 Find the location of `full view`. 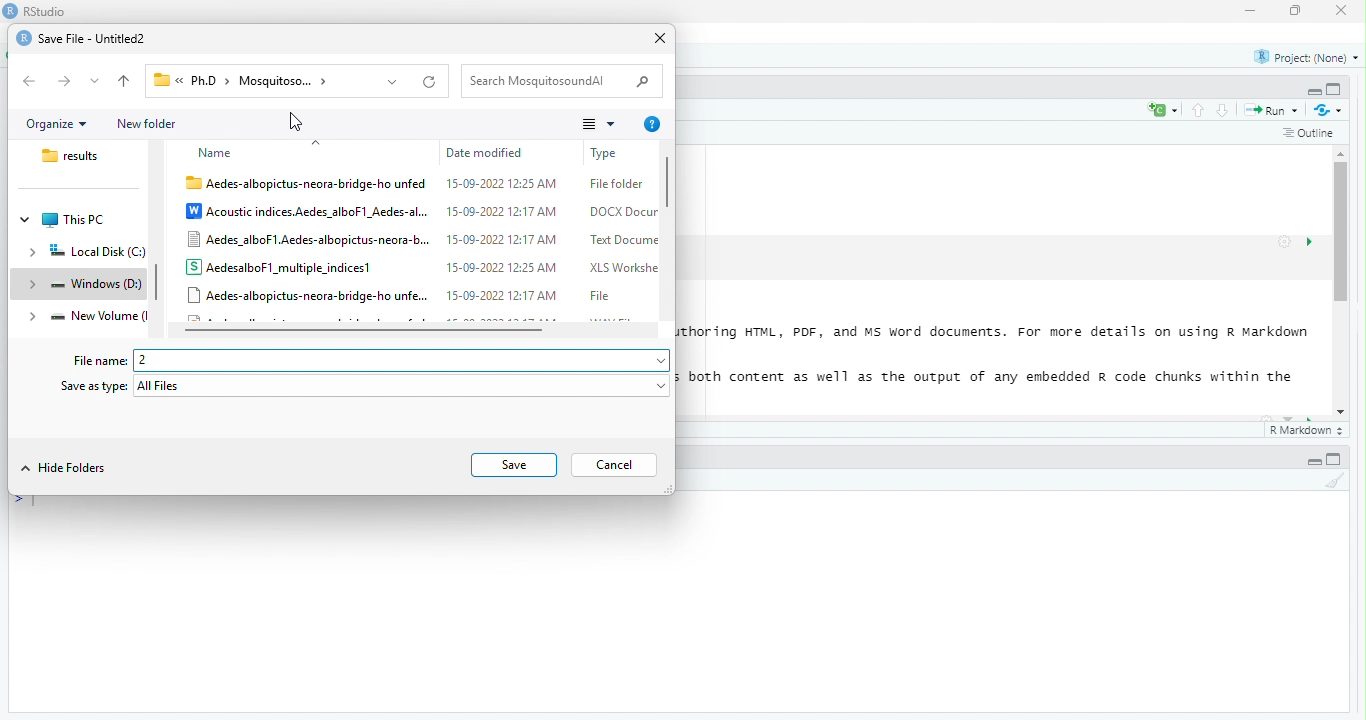

full view is located at coordinates (1334, 89).